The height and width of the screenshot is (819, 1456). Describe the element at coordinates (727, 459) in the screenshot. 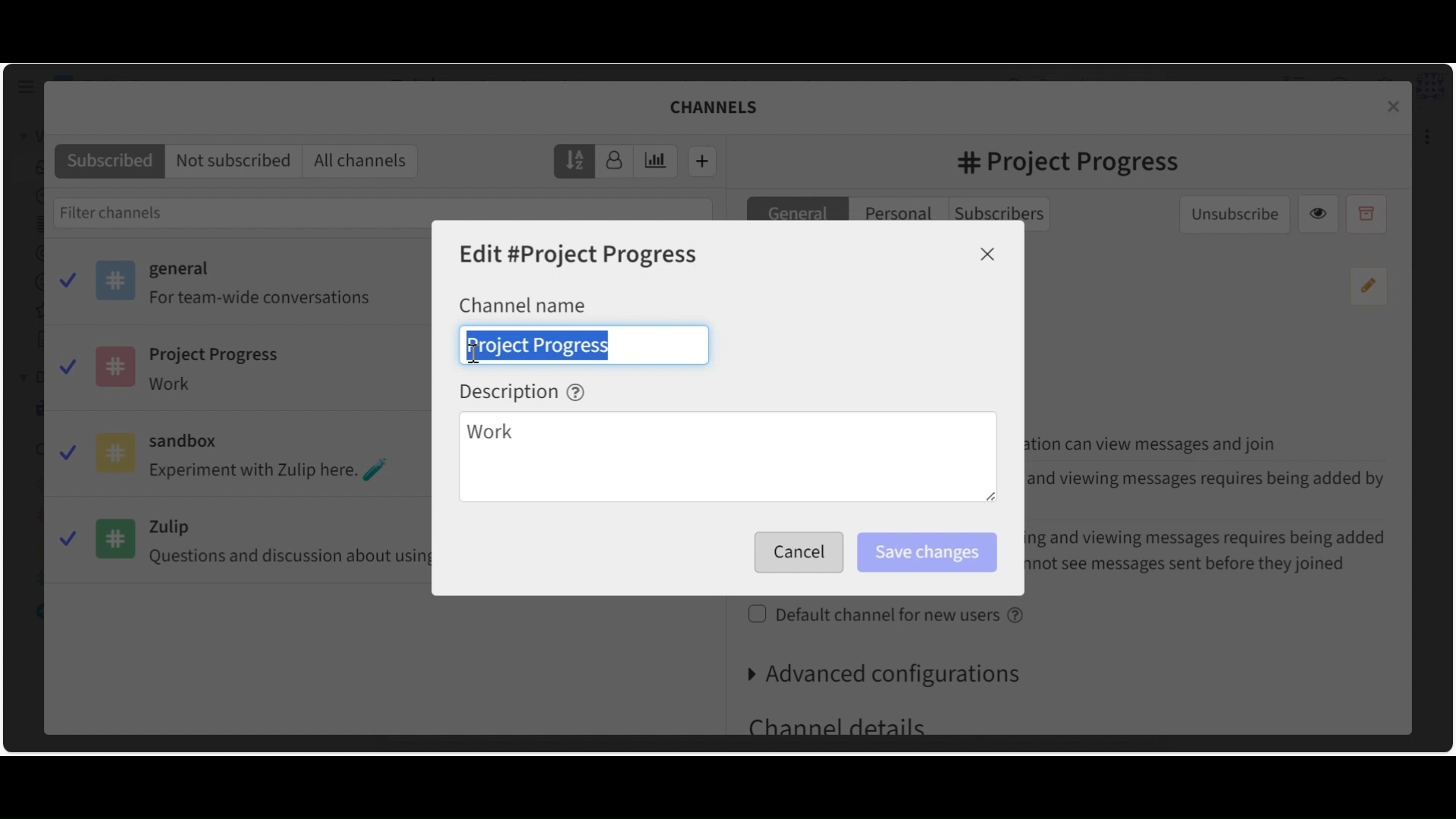

I see `Description Field` at that location.